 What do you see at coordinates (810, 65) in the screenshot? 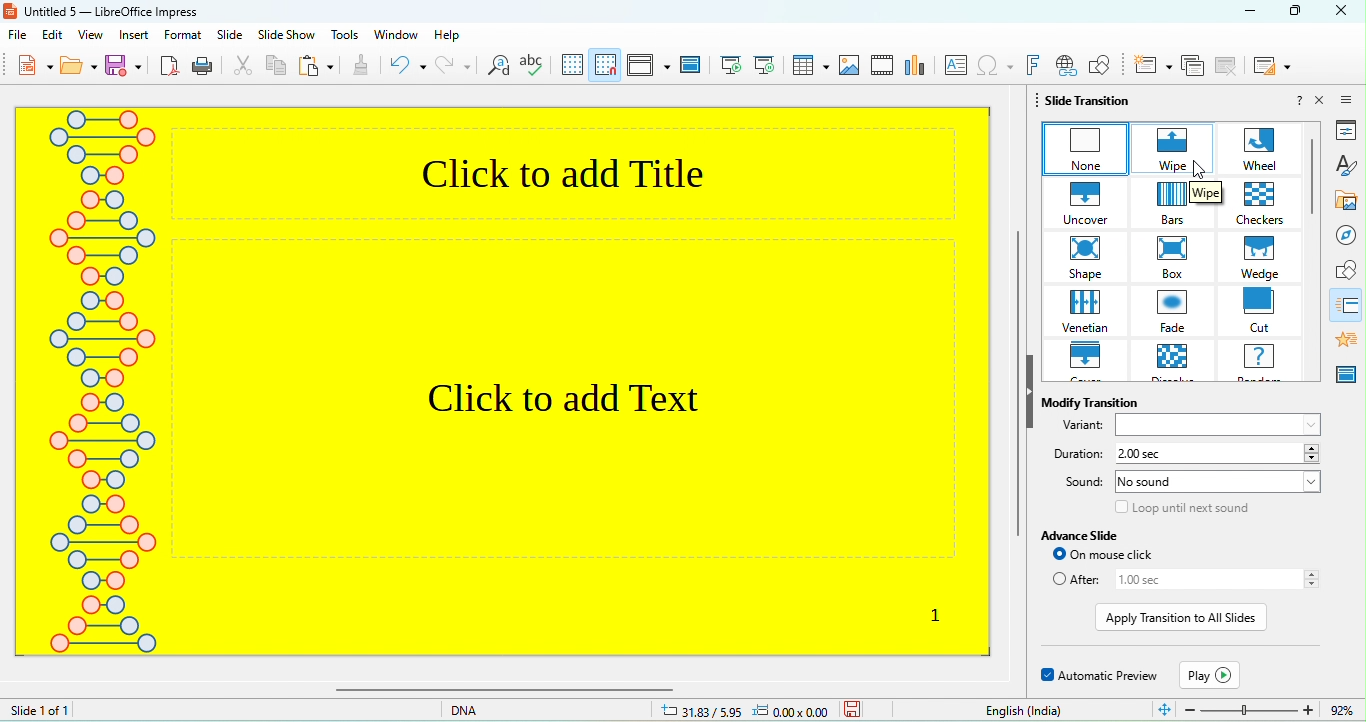
I see `table` at bounding box center [810, 65].